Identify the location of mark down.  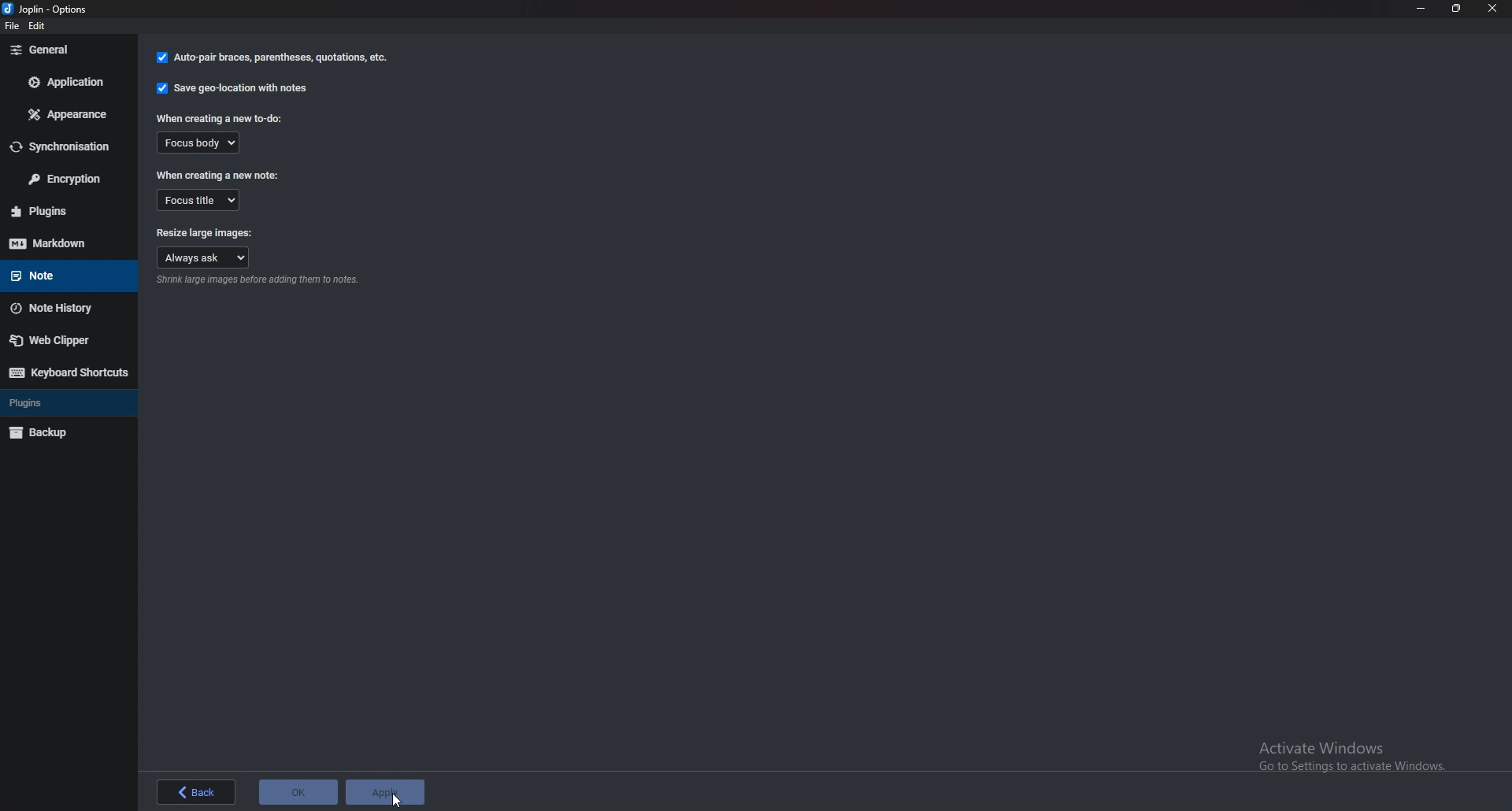
(66, 243).